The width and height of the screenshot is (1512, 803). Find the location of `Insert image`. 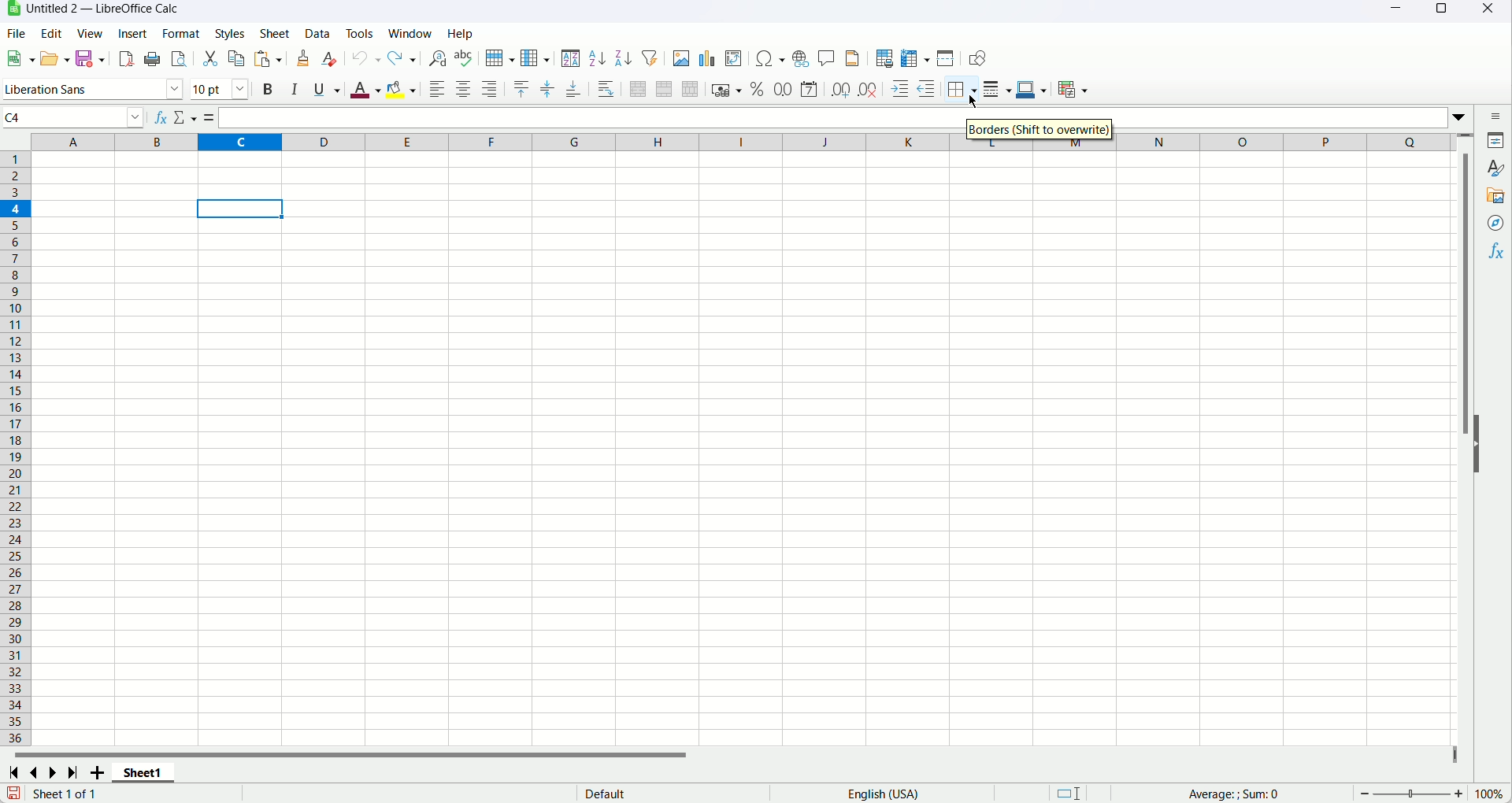

Insert image is located at coordinates (680, 57).